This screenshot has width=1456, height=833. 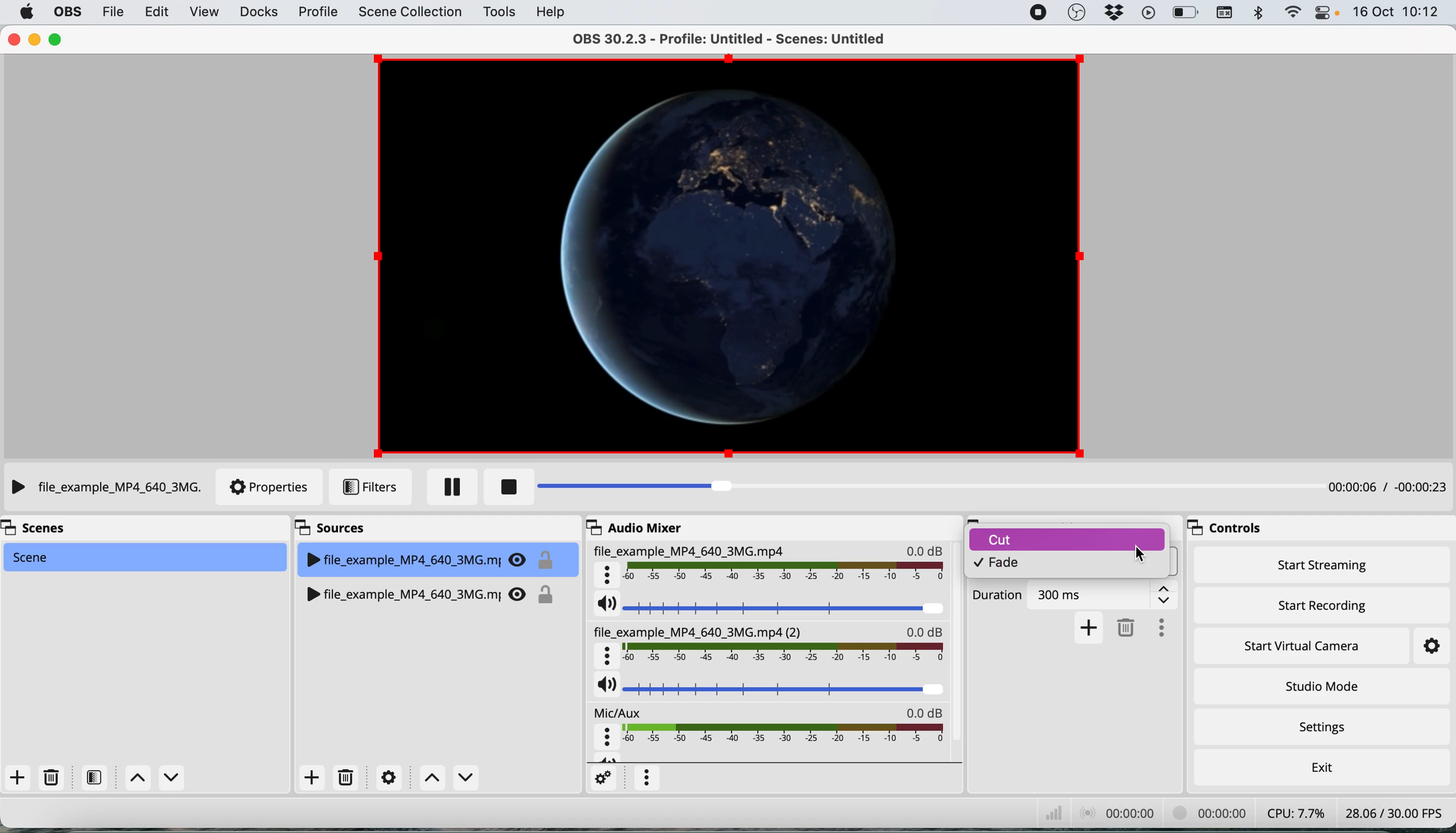 I want to click on CPU: 7.7%, so click(x=1292, y=812).